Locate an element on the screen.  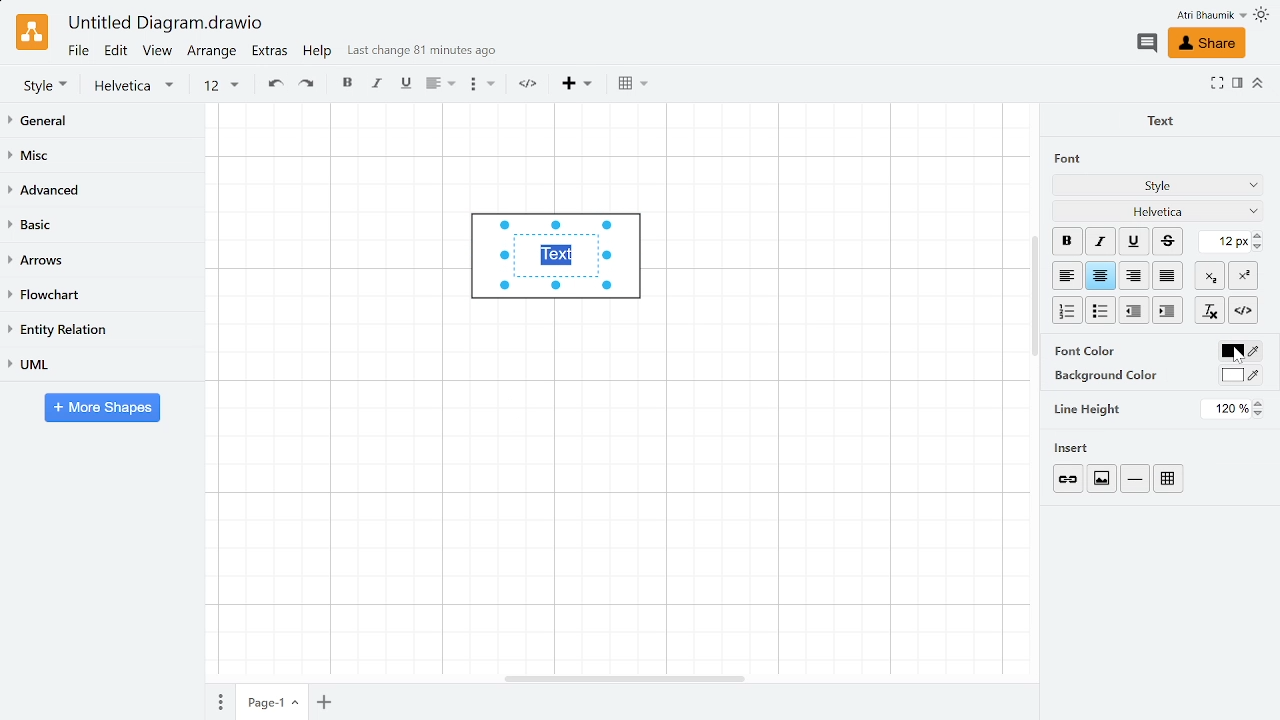
View is located at coordinates (158, 53).